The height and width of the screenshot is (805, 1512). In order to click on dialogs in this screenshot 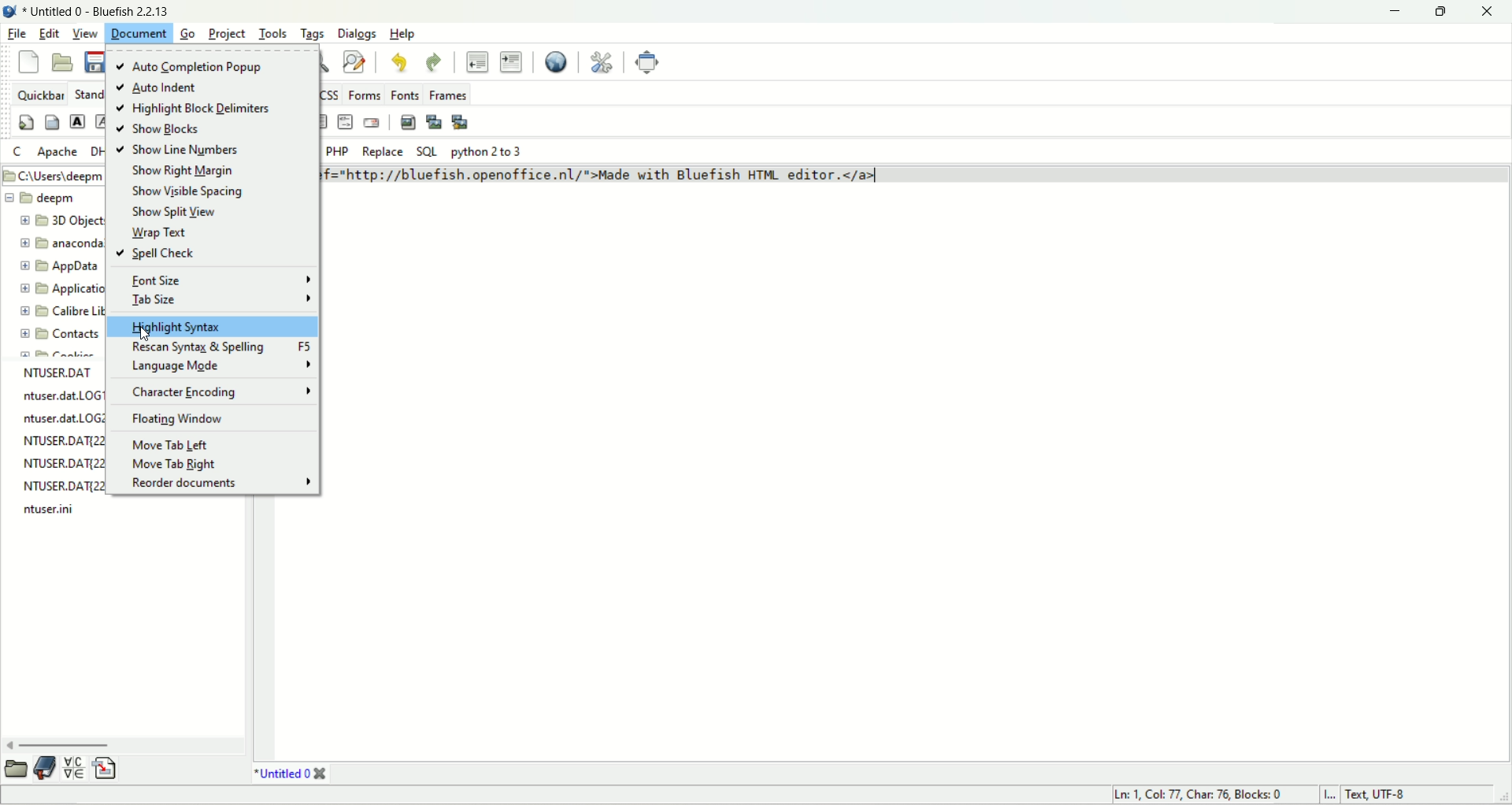, I will do `click(356, 32)`.